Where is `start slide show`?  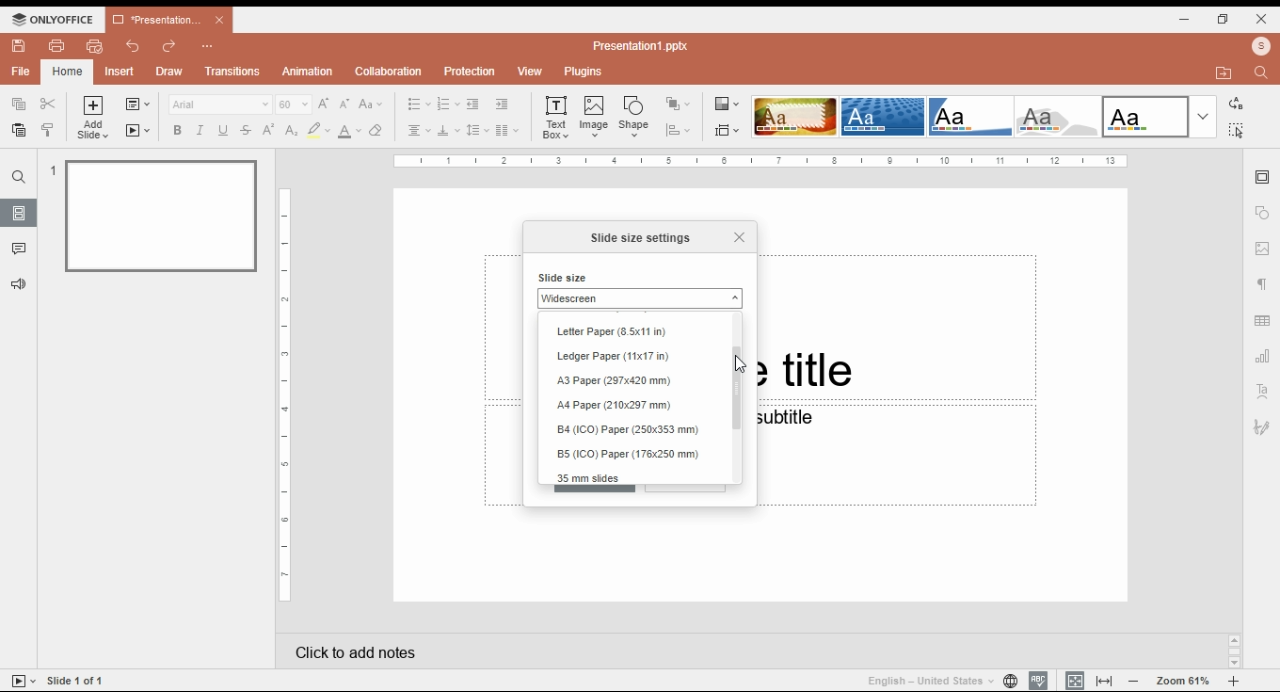
start slide show is located at coordinates (24, 681).